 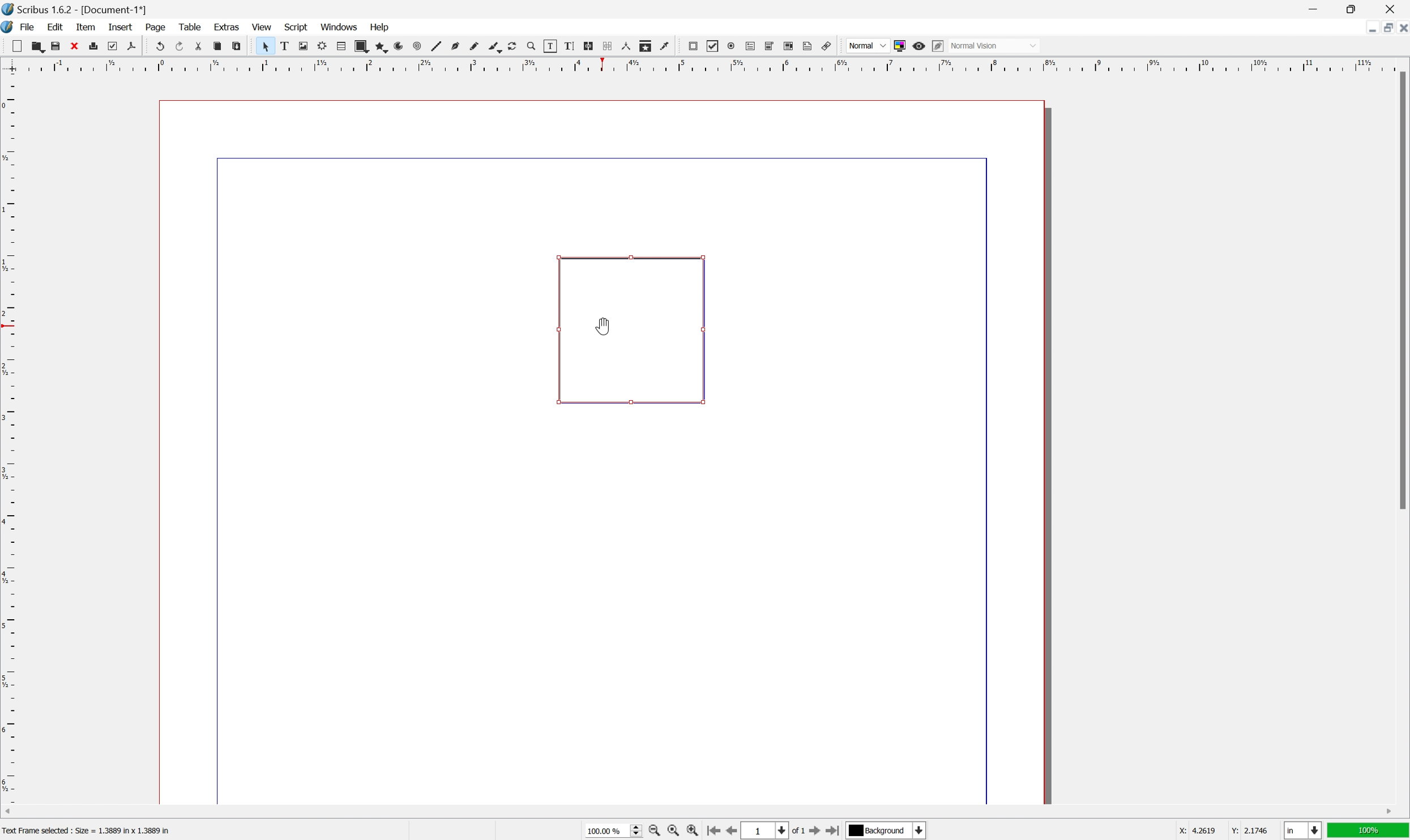 I want to click on render frame, so click(x=323, y=46).